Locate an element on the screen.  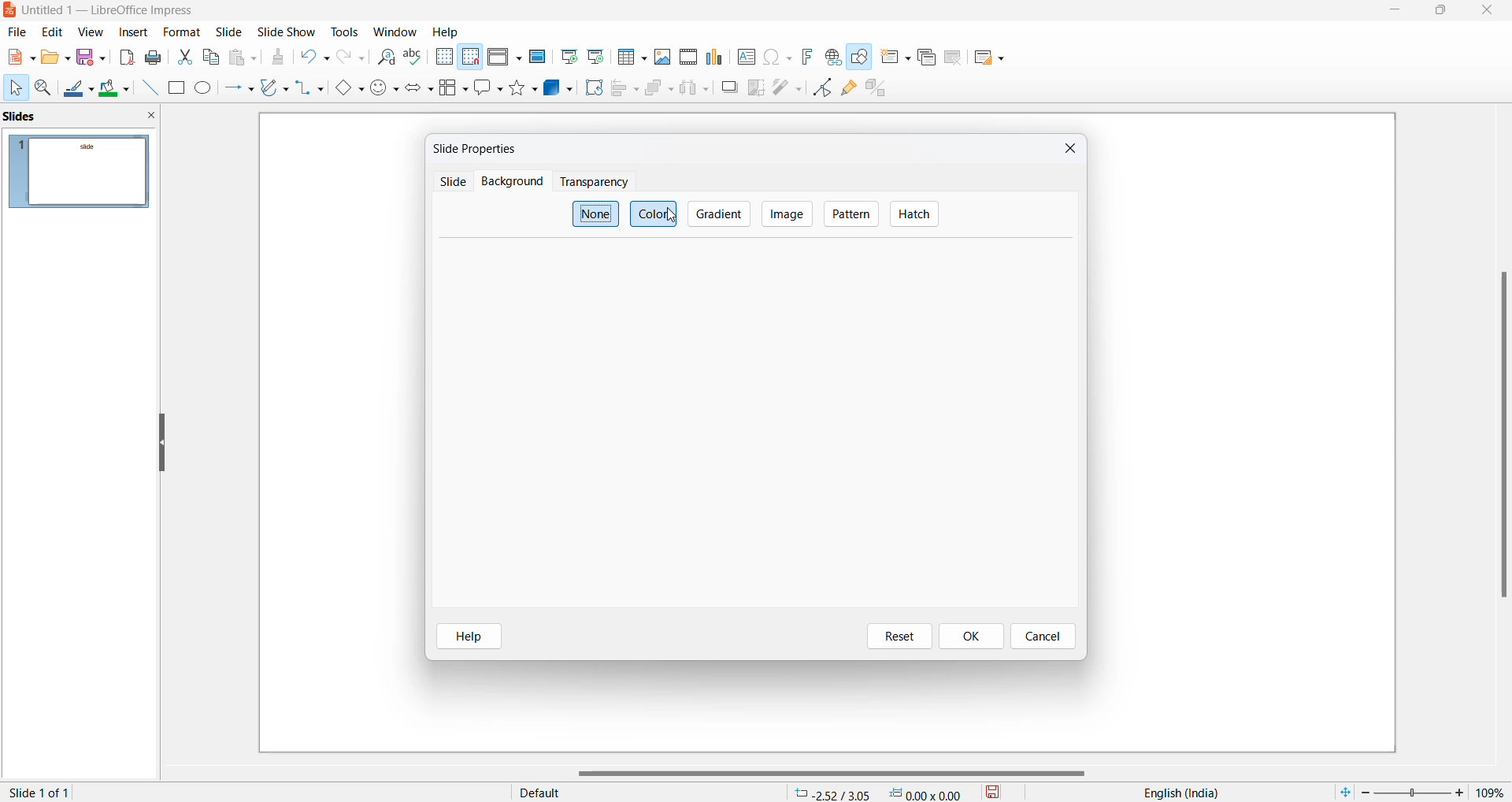
snap to grid is located at coordinates (470, 58).